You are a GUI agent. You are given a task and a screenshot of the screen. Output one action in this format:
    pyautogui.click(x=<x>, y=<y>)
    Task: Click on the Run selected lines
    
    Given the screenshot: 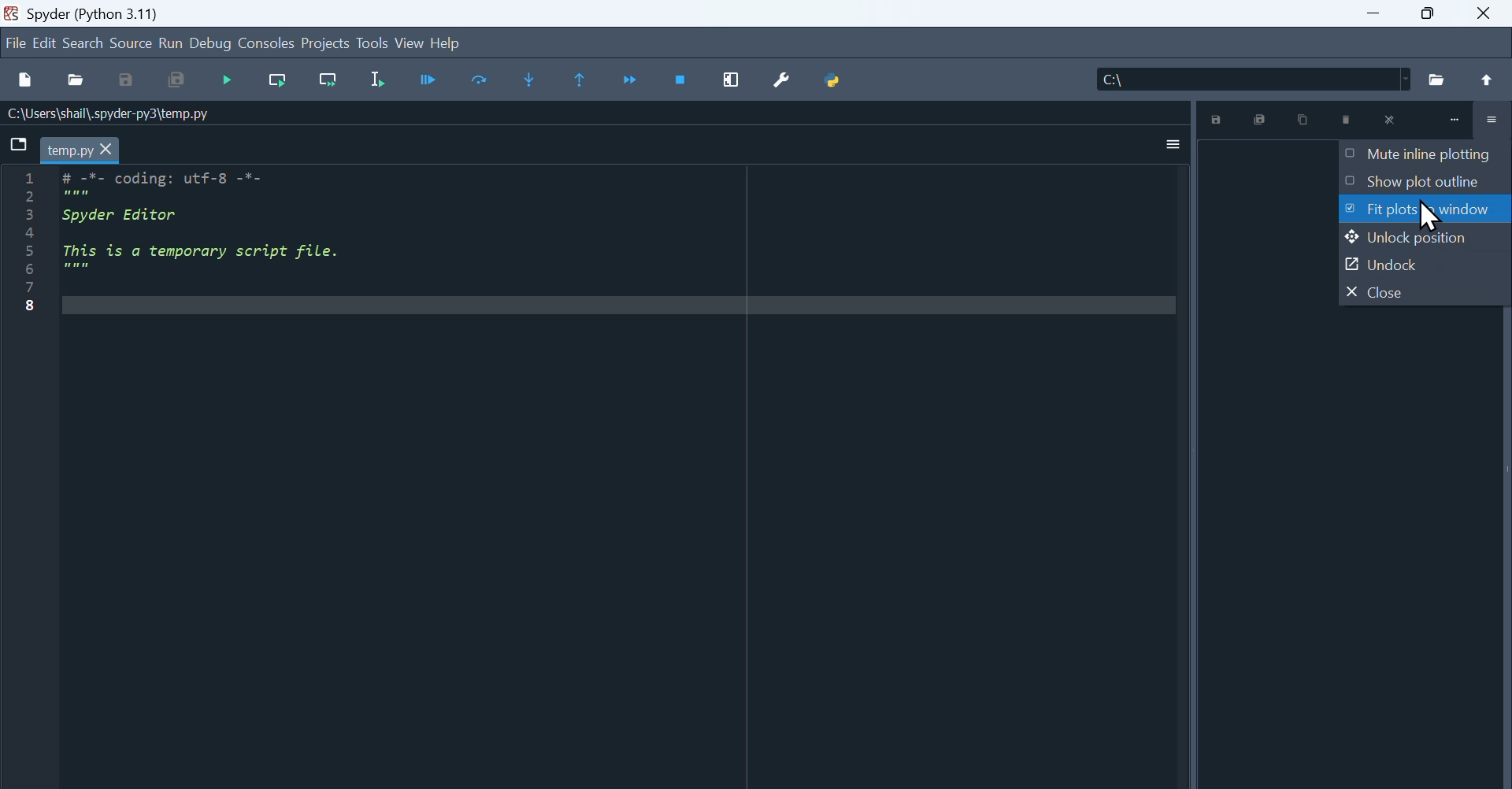 What is the action you would take?
    pyautogui.click(x=485, y=80)
    